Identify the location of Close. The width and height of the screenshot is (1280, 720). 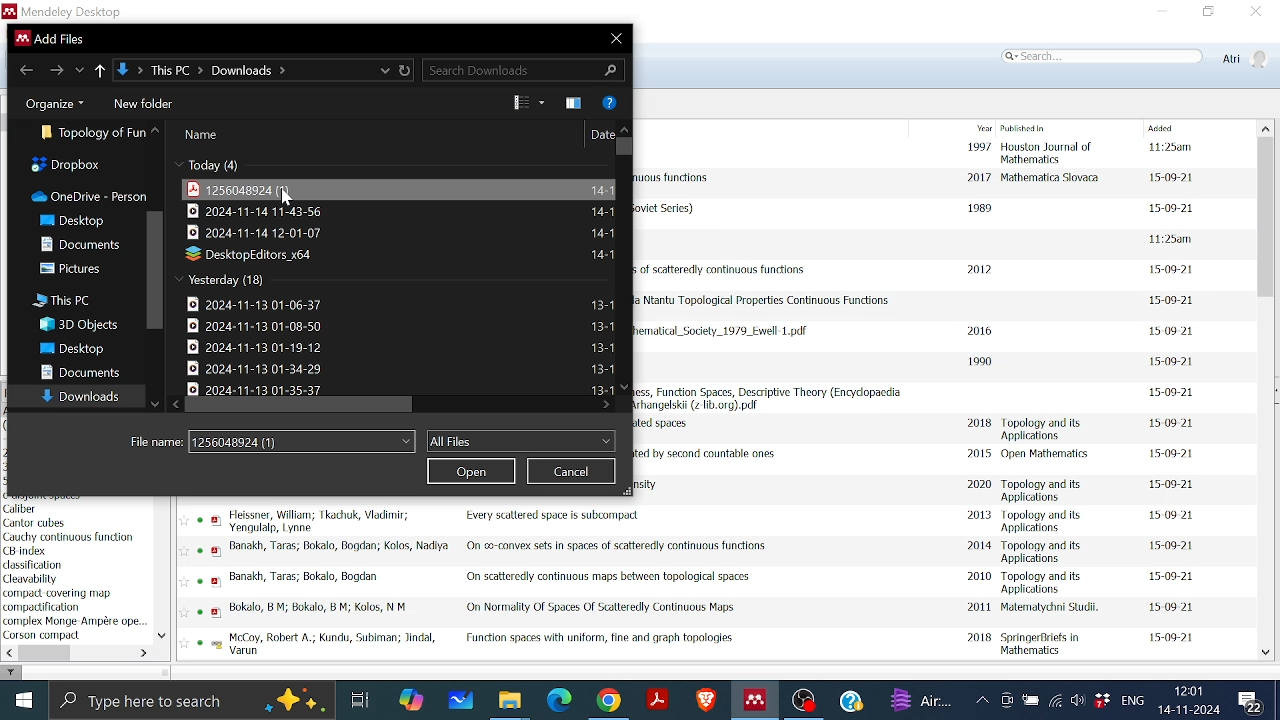
(617, 39).